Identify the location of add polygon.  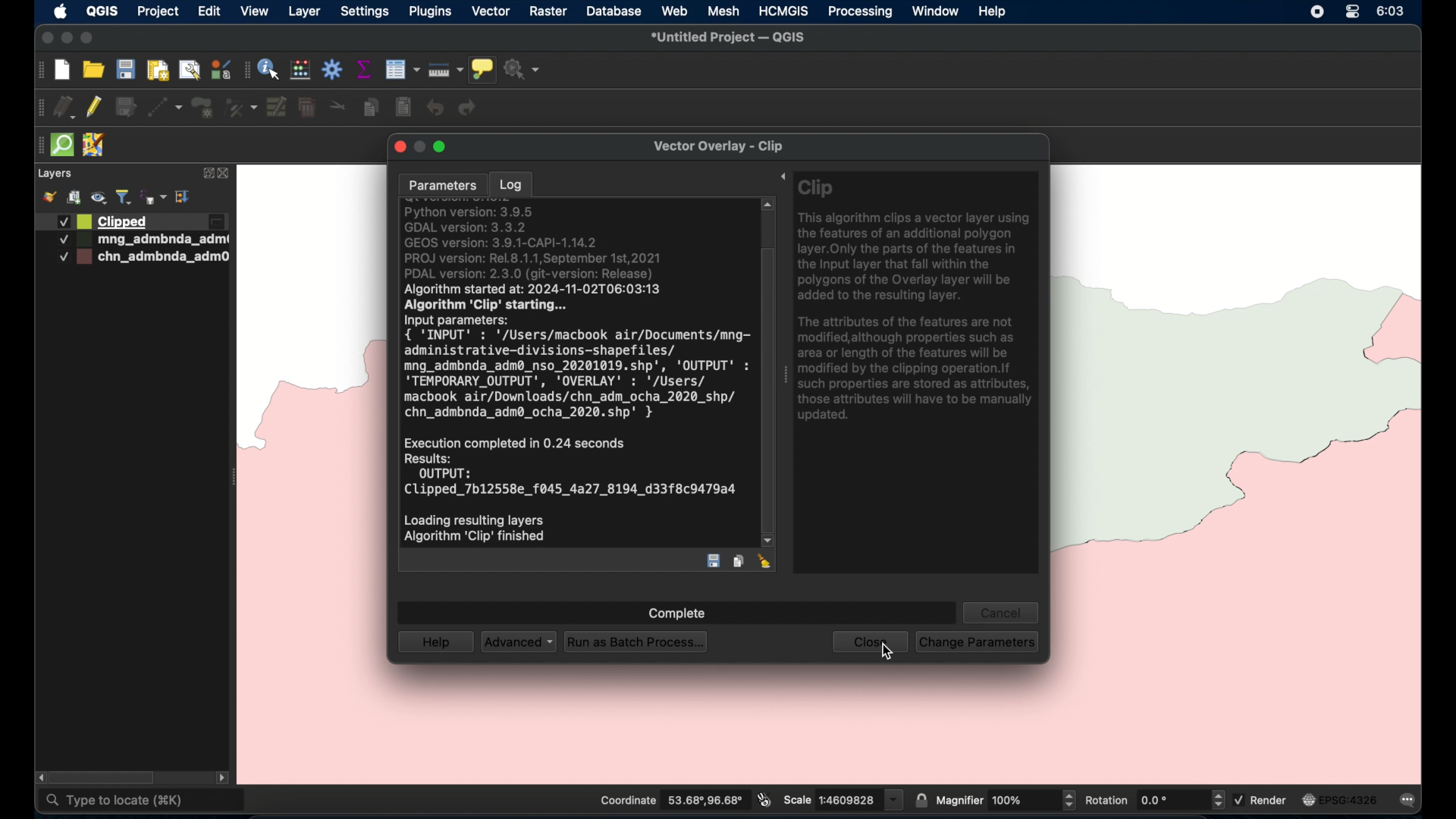
(204, 108).